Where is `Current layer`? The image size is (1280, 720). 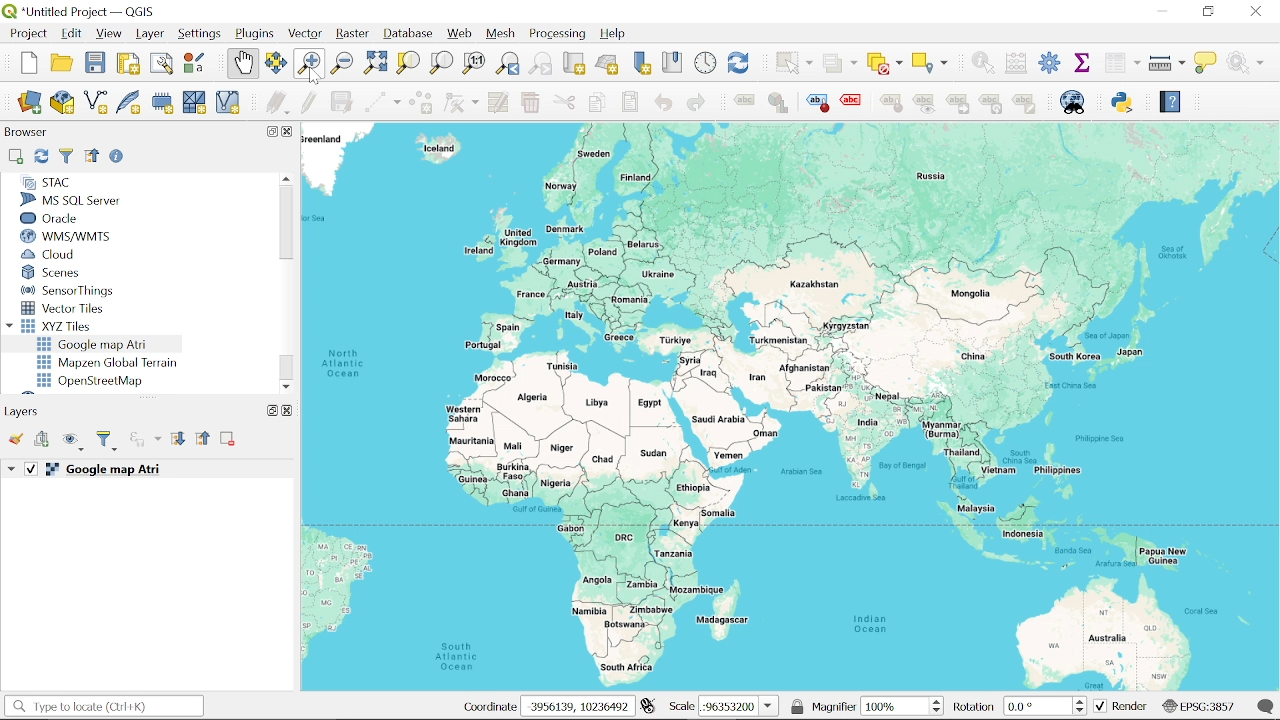
Current layer is located at coordinates (126, 470).